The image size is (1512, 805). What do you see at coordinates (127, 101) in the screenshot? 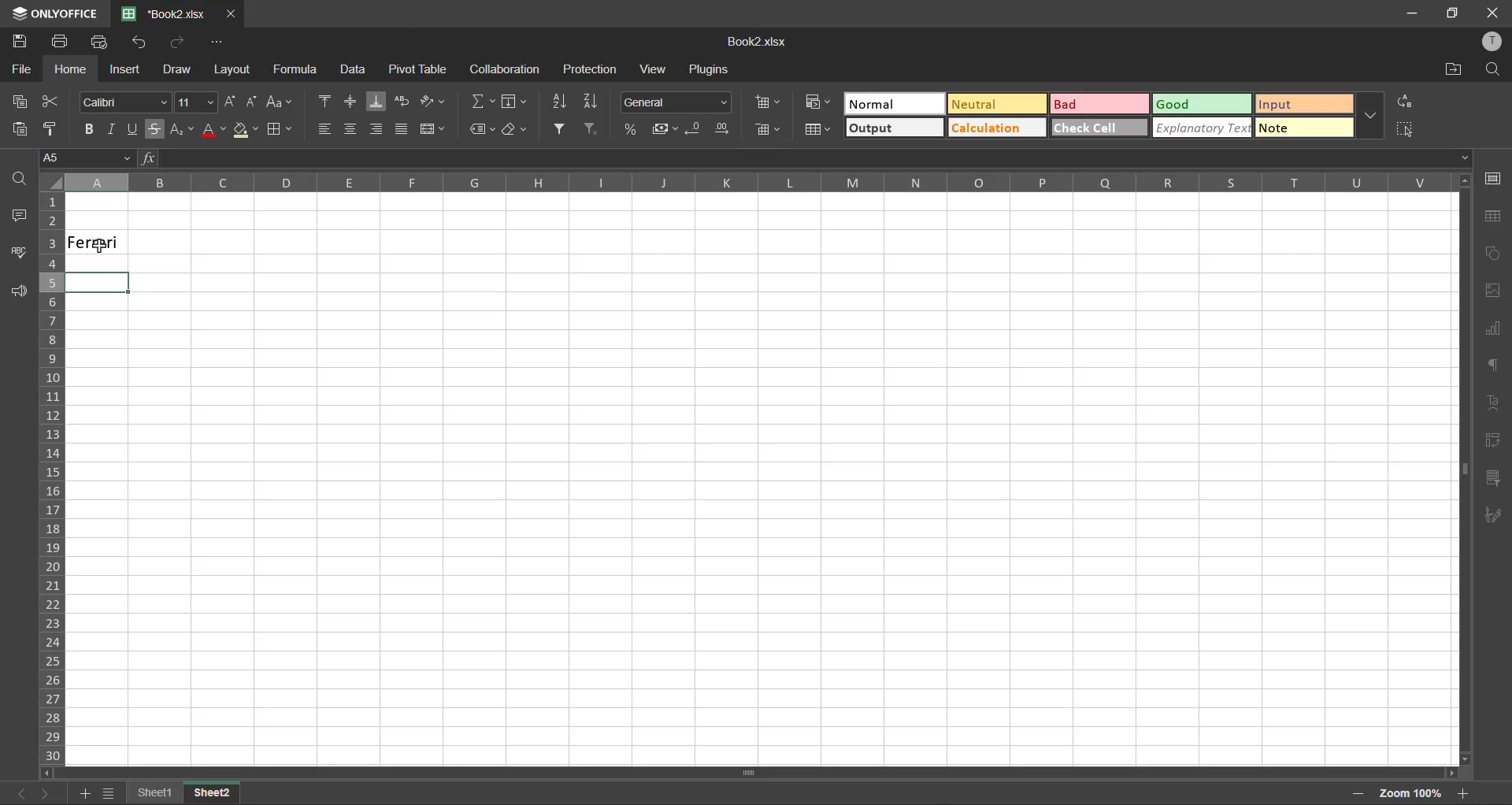
I see `font style` at bounding box center [127, 101].